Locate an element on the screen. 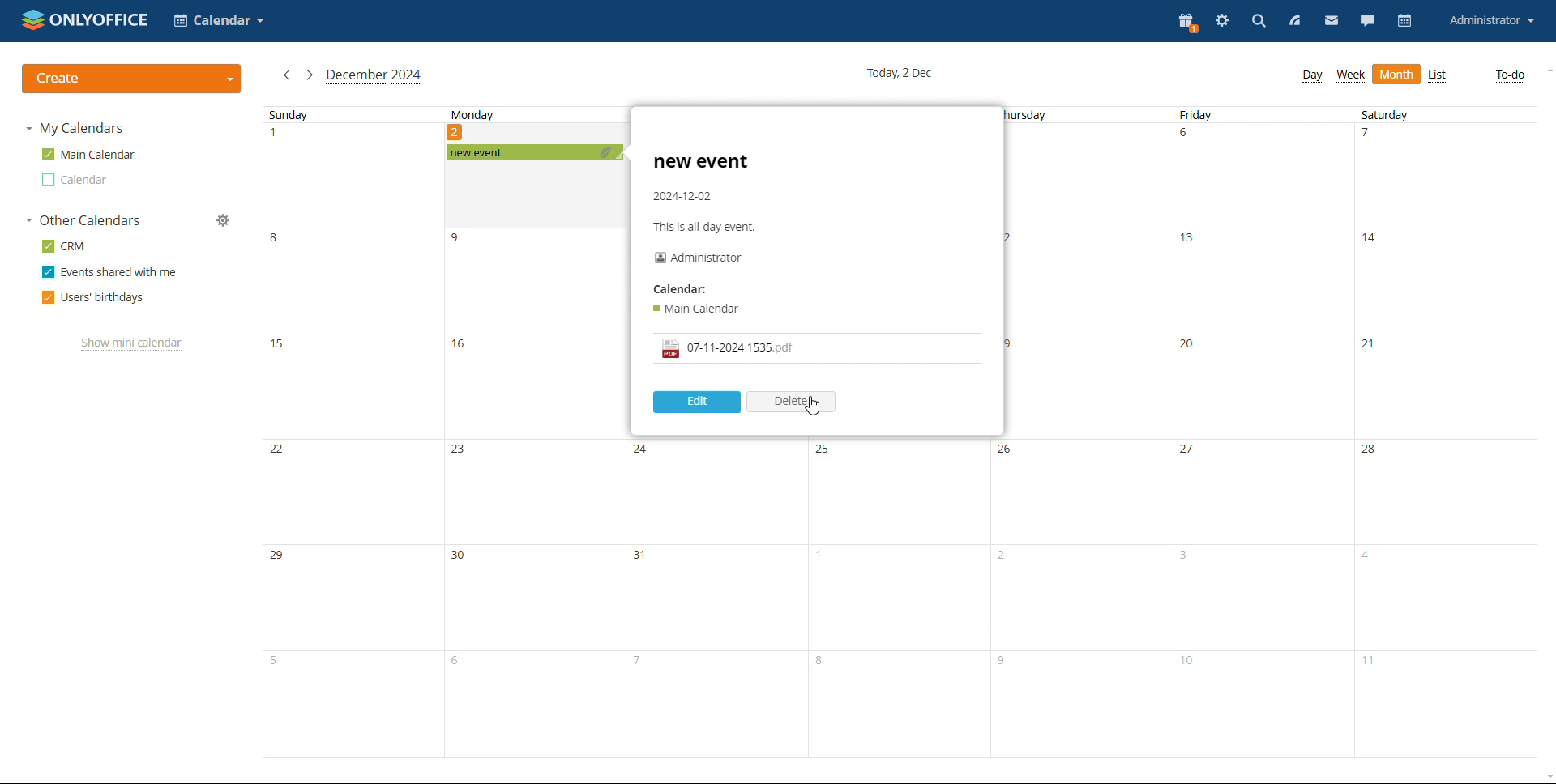  To-do is located at coordinates (1510, 75).